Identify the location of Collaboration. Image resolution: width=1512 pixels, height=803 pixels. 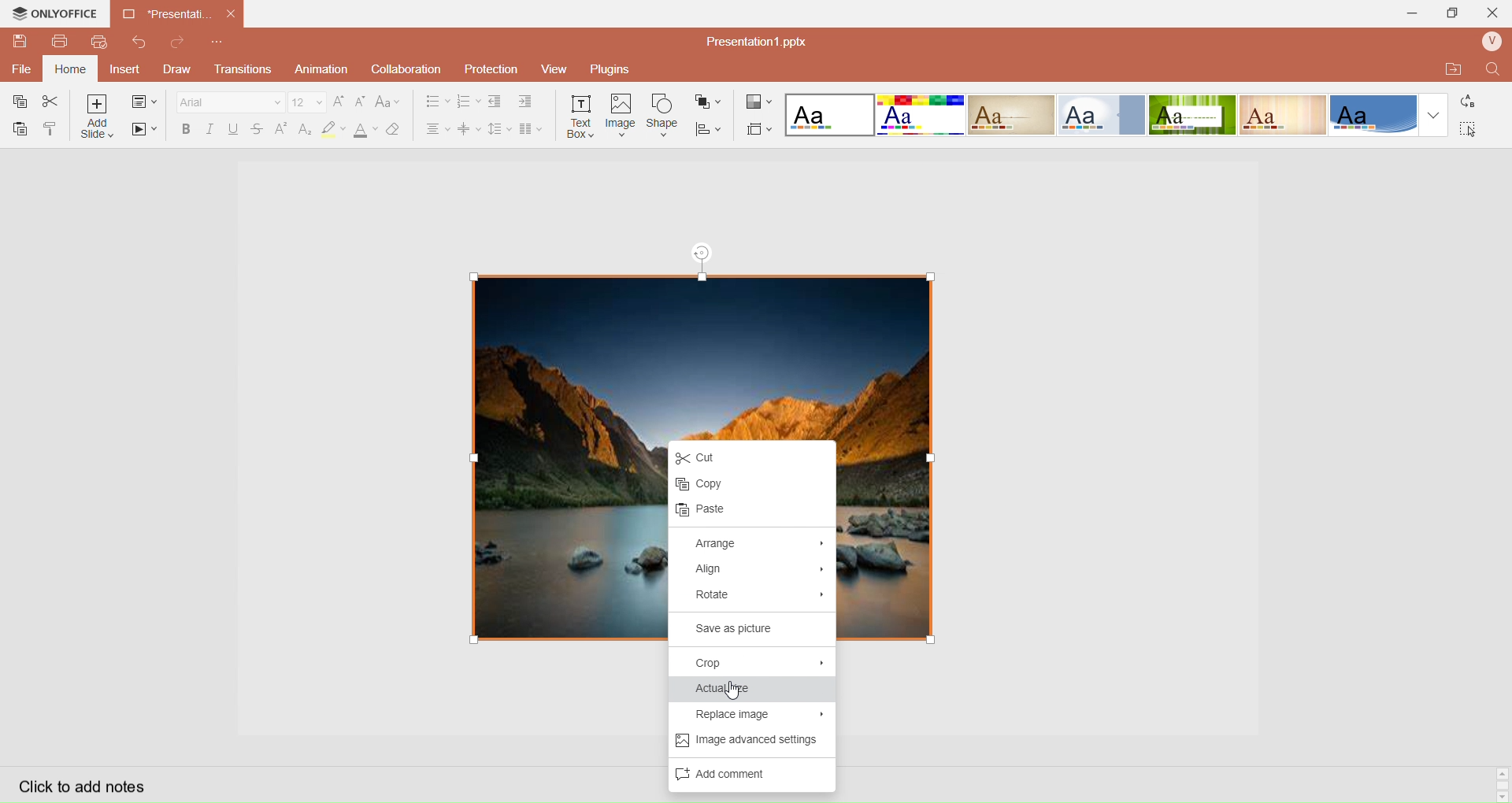
(408, 69).